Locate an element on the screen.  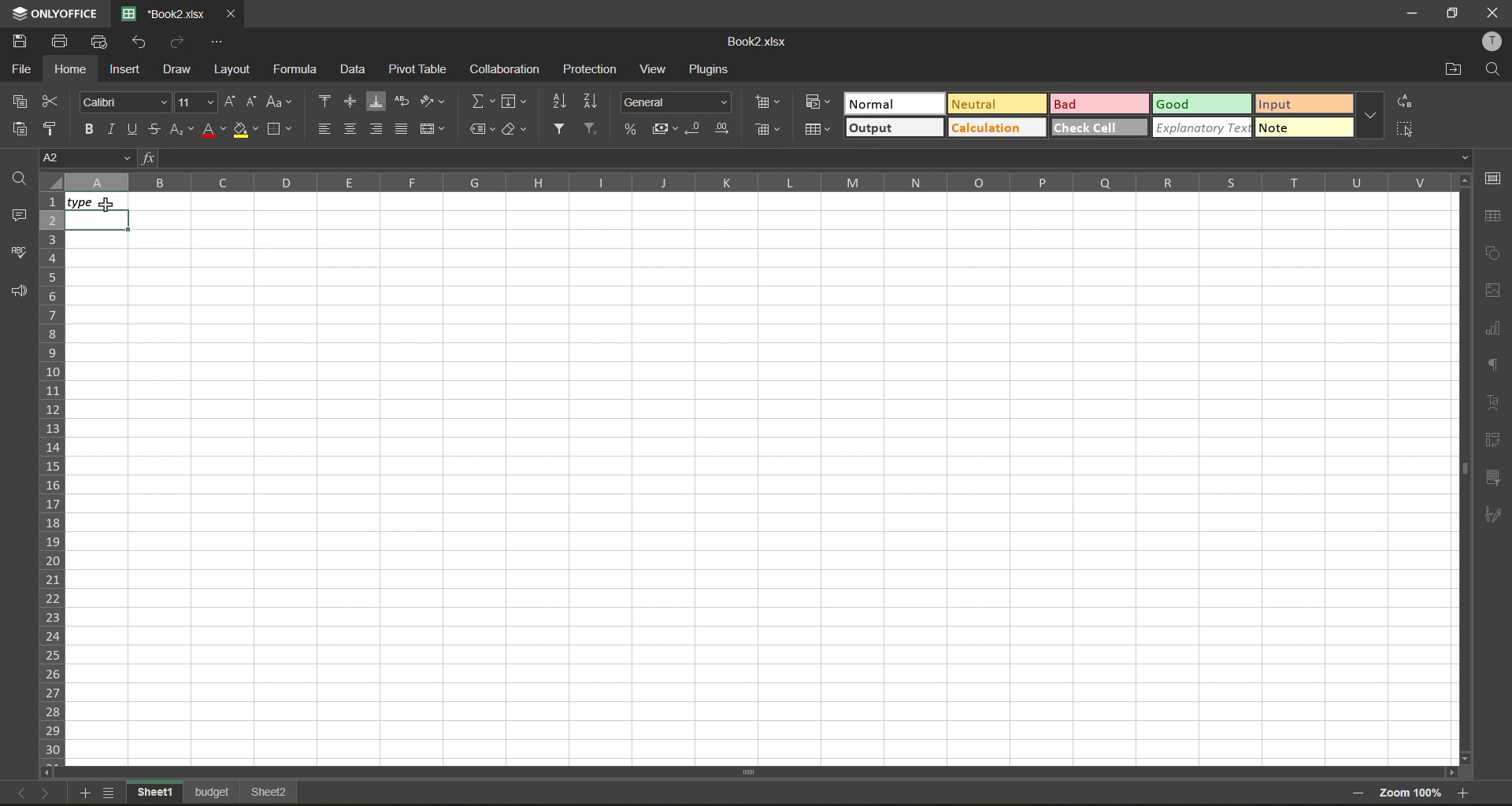
clear is located at coordinates (517, 130).